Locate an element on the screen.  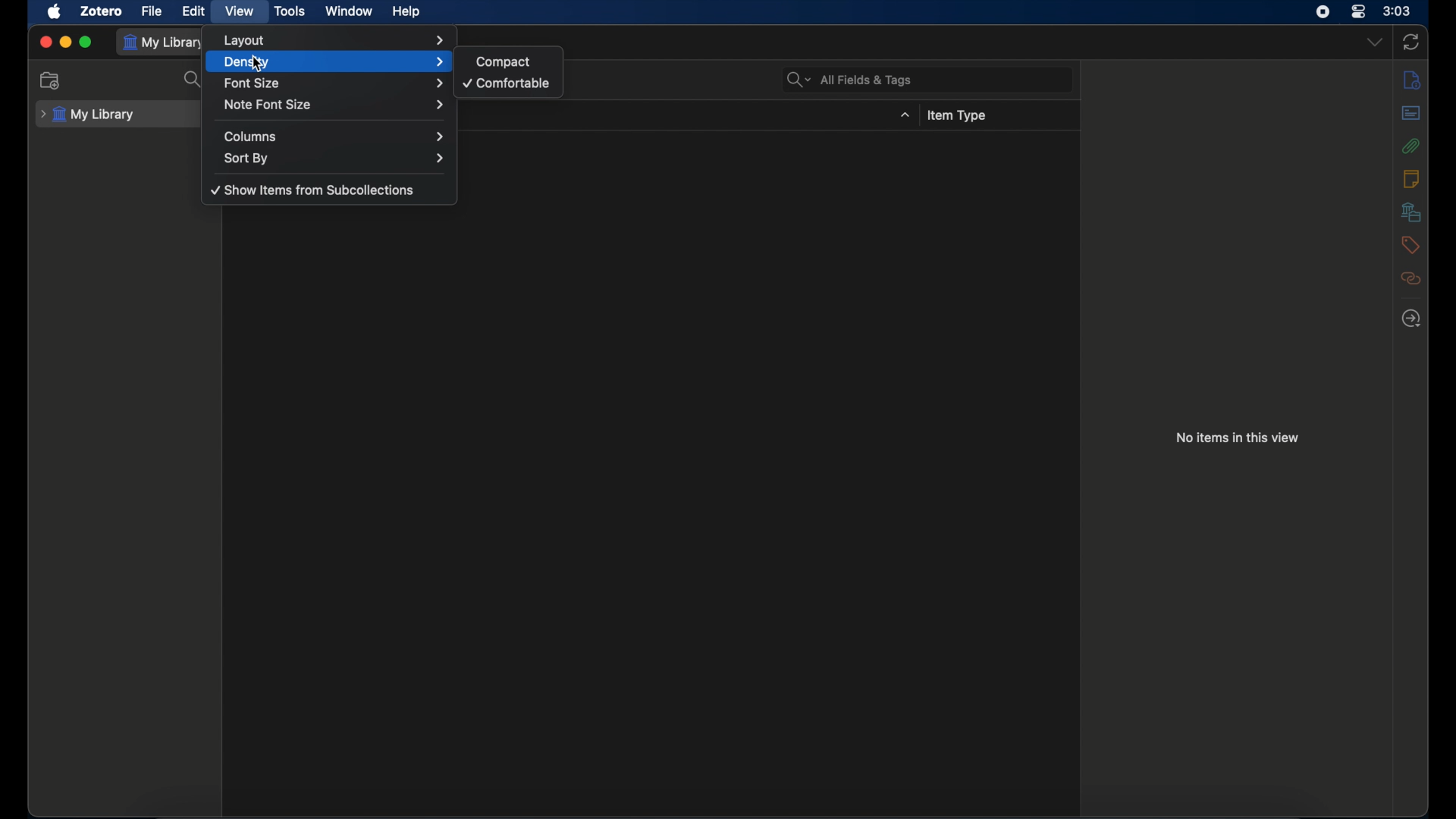
maximize is located at coordinates (86, 42).